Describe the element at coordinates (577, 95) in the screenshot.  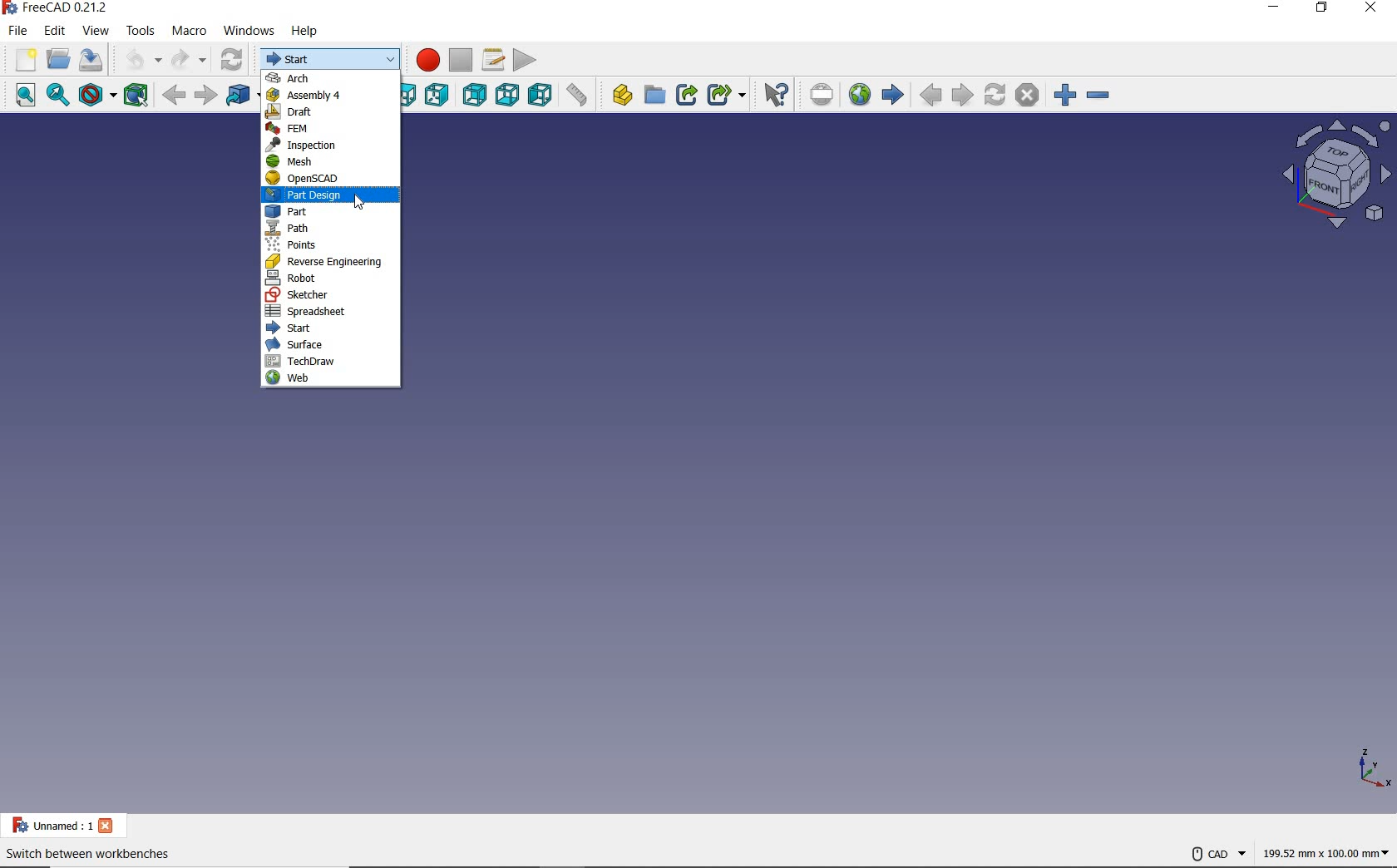
I see `MEASURE DISTANCE` at that location.